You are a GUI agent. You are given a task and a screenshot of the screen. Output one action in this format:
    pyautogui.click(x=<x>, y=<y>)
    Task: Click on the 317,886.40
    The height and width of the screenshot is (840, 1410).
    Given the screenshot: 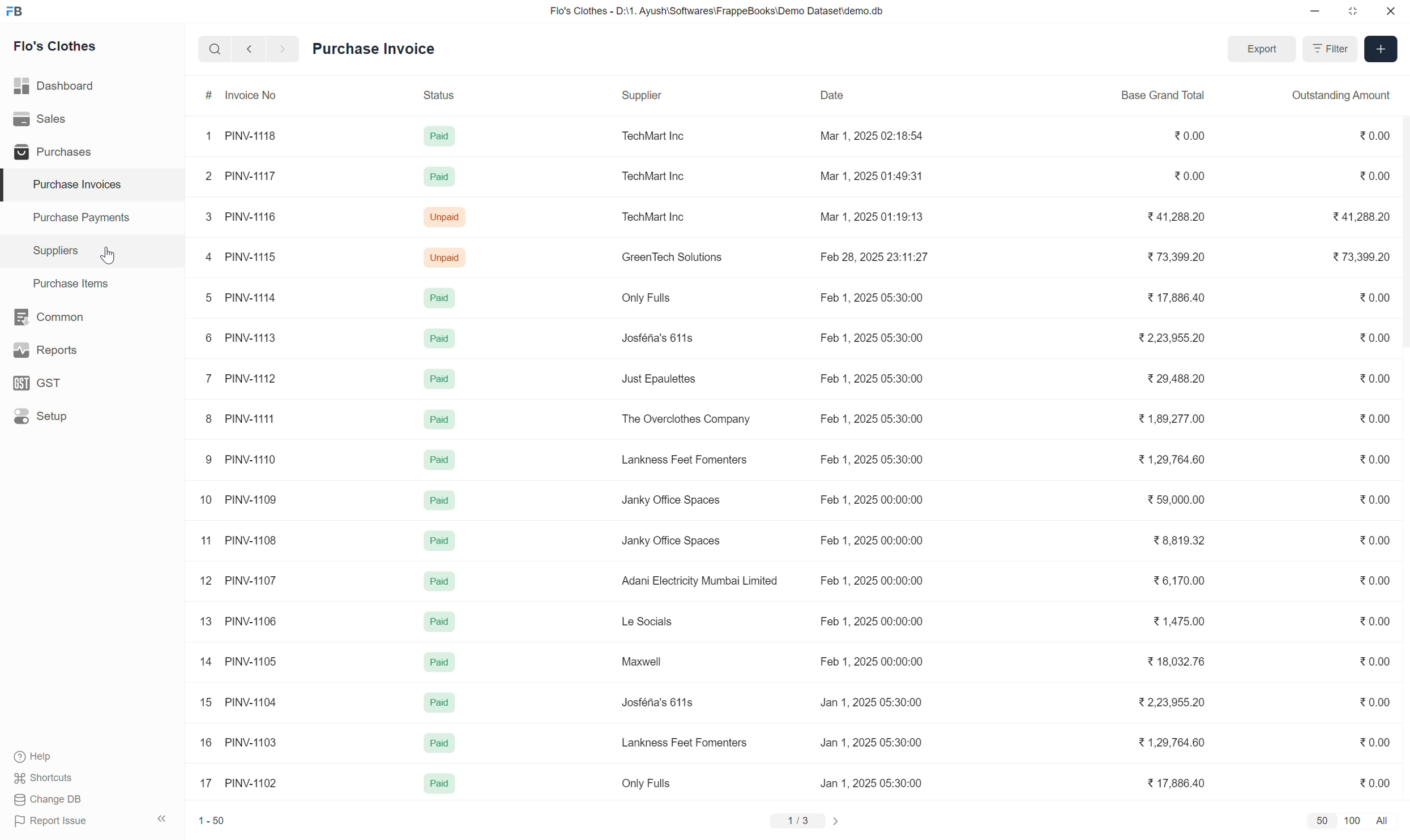 What is the action you would take?
    pyautogui.click(x=1176, y=783)
    